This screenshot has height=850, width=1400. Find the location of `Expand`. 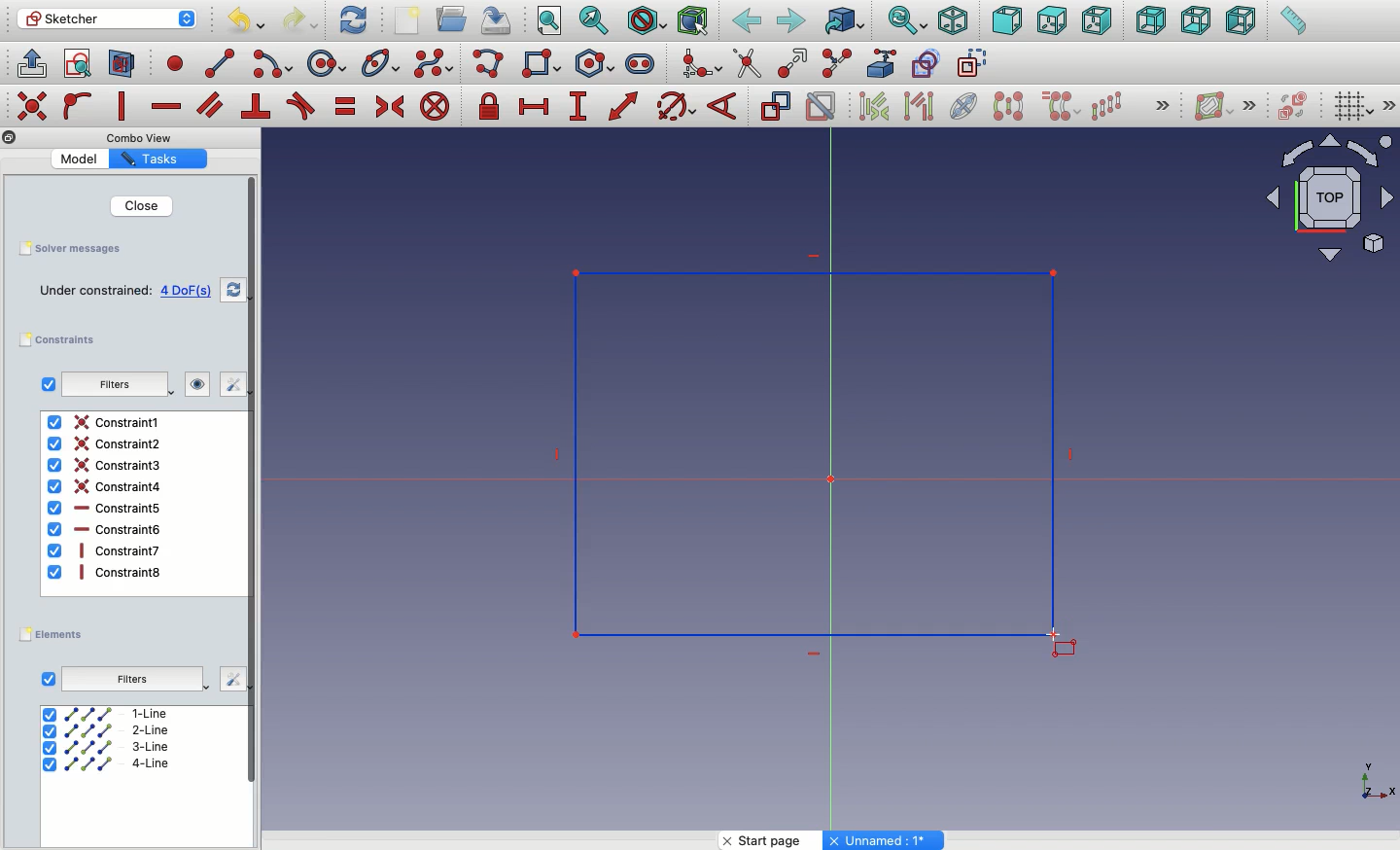

Expand is located at coordinates (1390, 105).